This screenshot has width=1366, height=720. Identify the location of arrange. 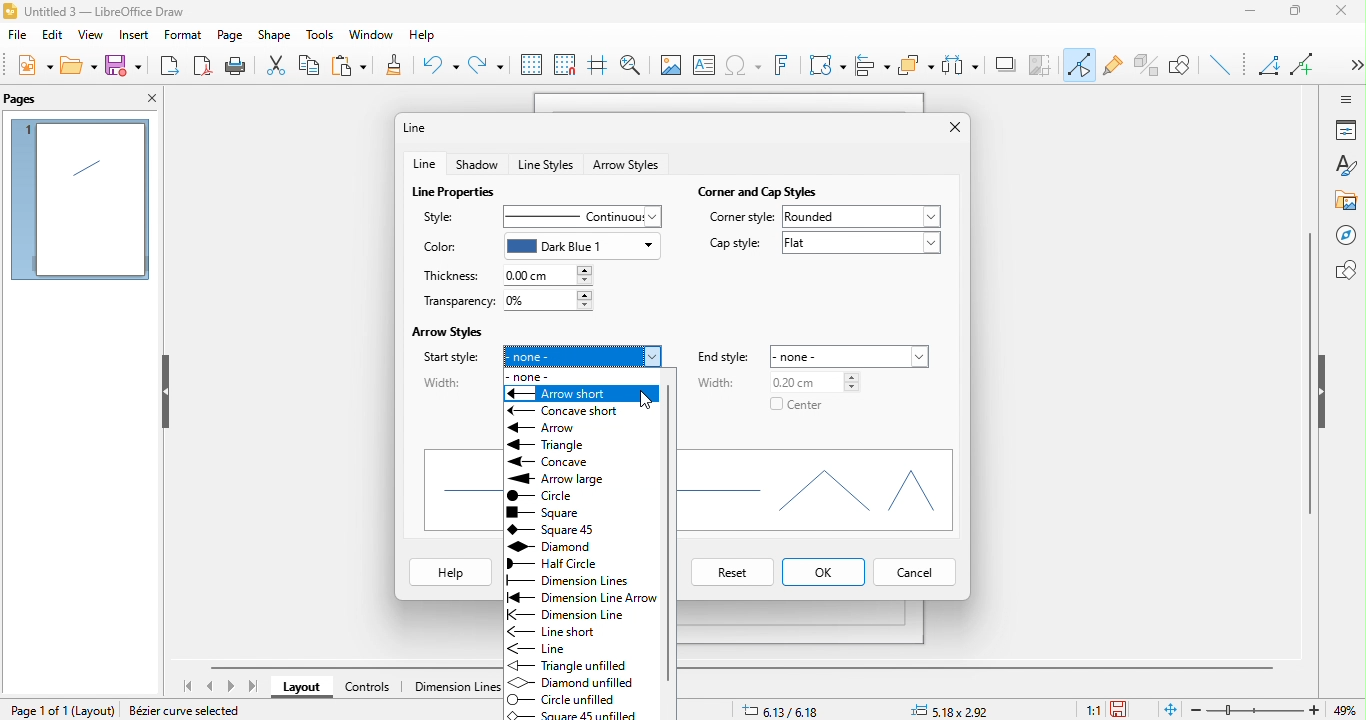
(916, 66).